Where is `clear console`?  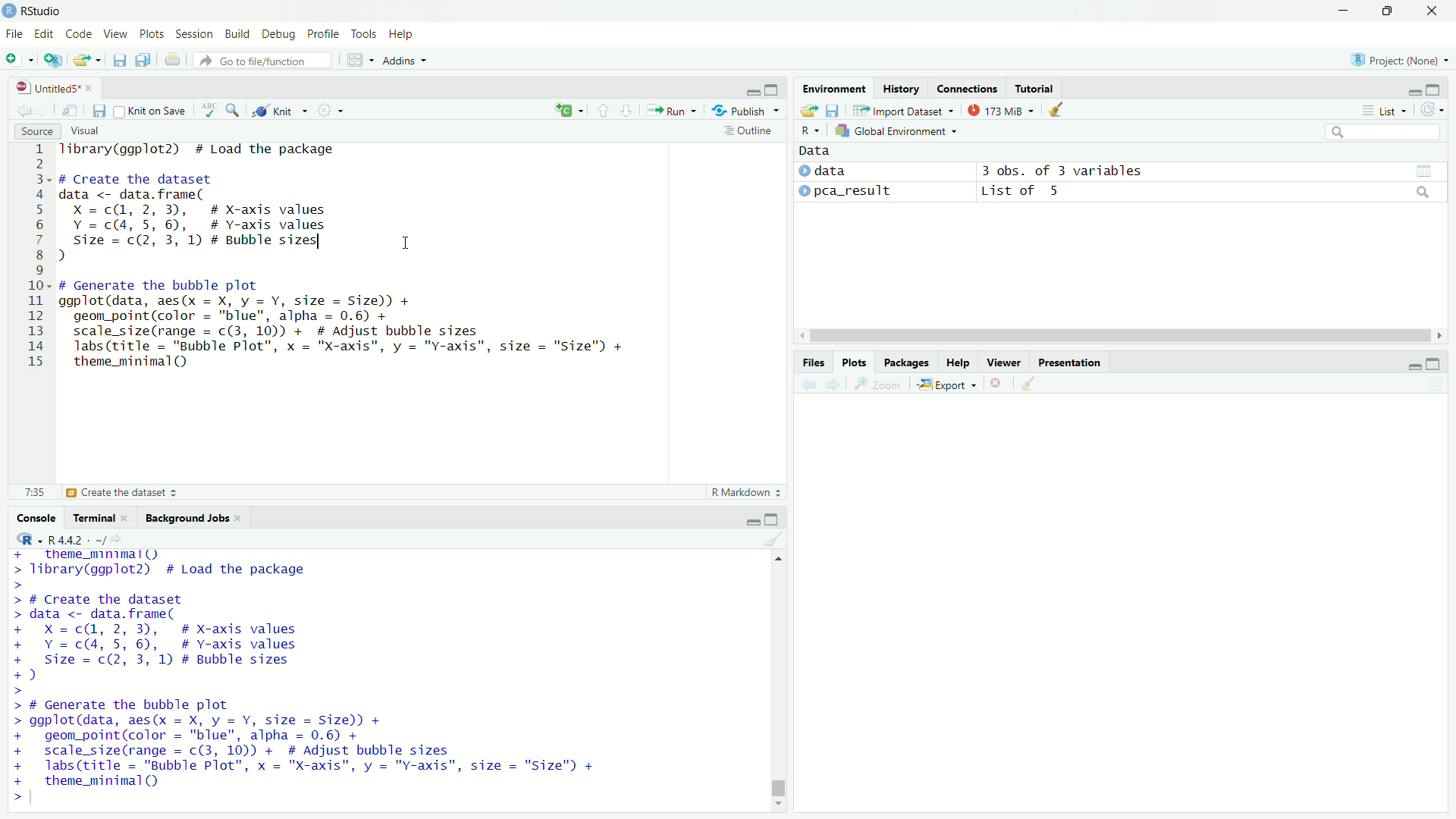
clear console is located at coordinates (775, 538).